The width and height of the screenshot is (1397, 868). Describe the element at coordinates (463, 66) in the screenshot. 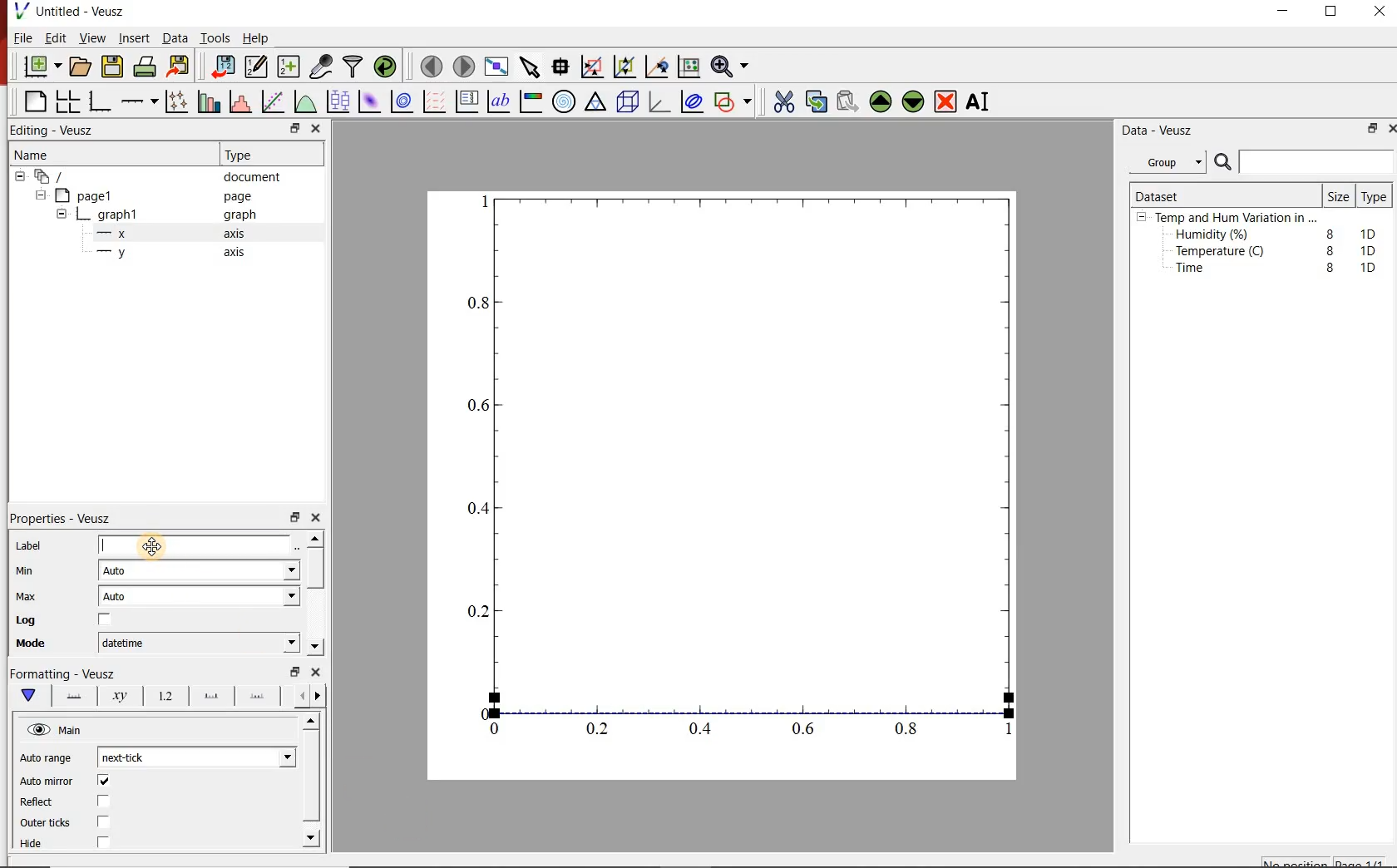

I see `move to the next page` at that location.